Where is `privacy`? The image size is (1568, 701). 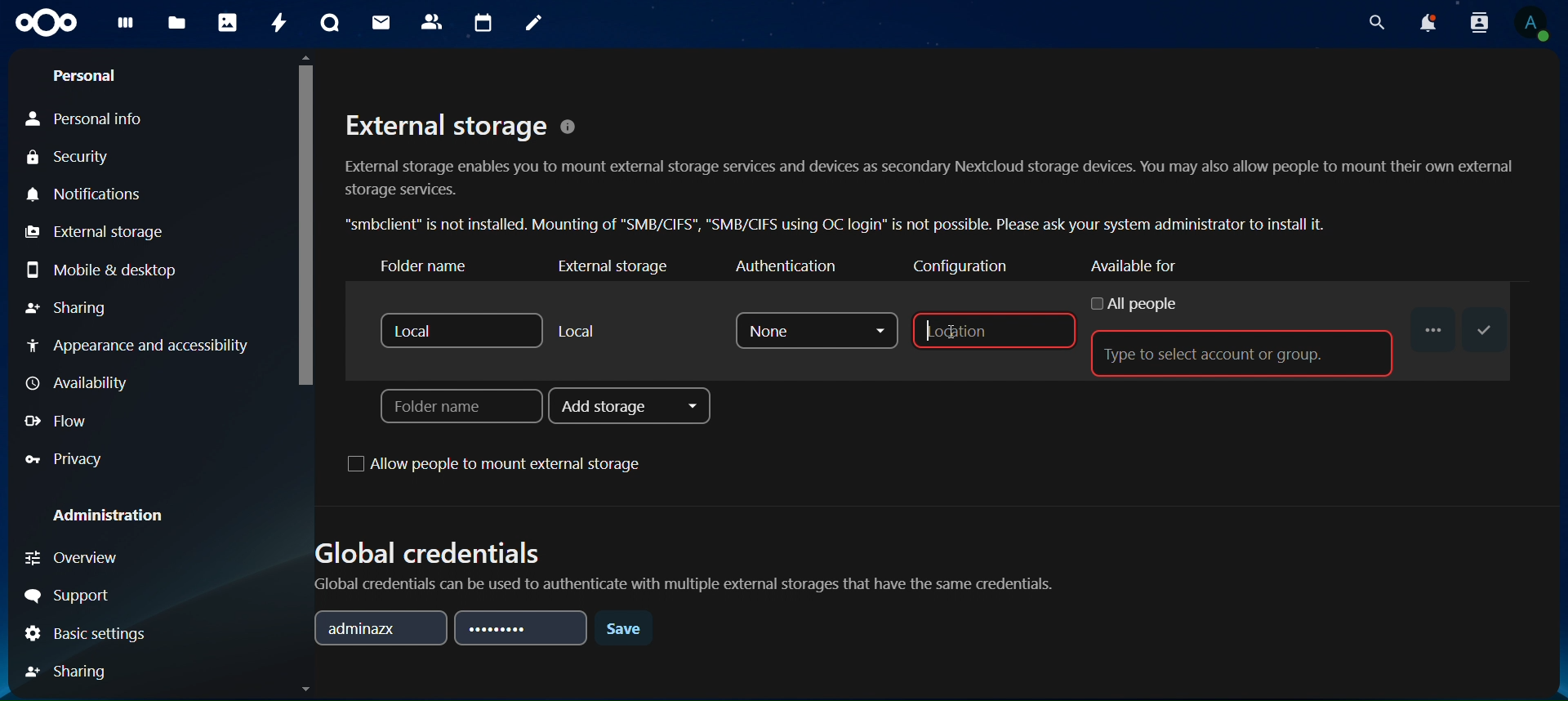 privacy is located at coordinates (64, 458).